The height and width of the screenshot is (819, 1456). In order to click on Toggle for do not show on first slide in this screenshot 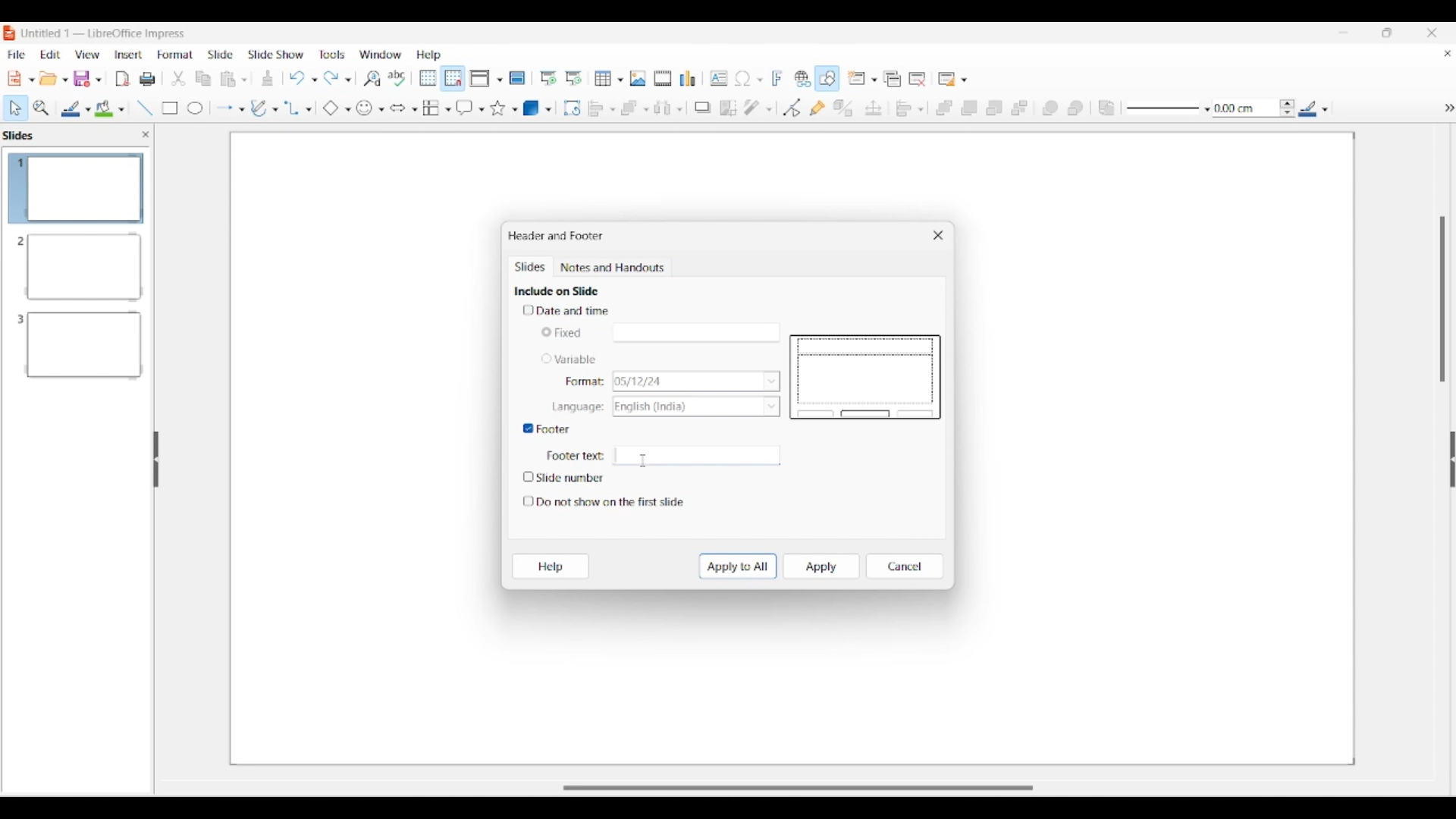, I will do `click(604, 502)`.